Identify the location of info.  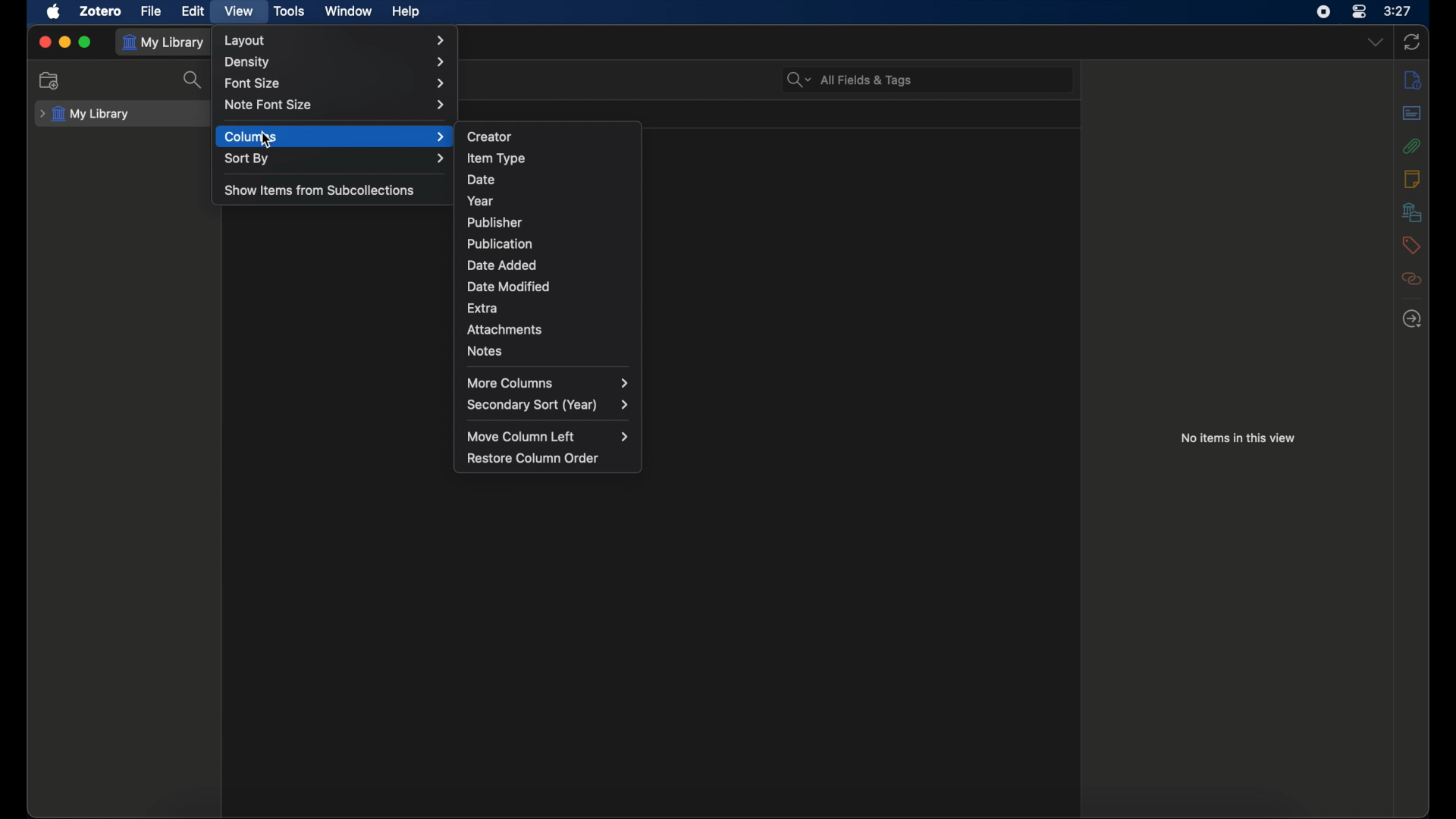
(1414, 80).